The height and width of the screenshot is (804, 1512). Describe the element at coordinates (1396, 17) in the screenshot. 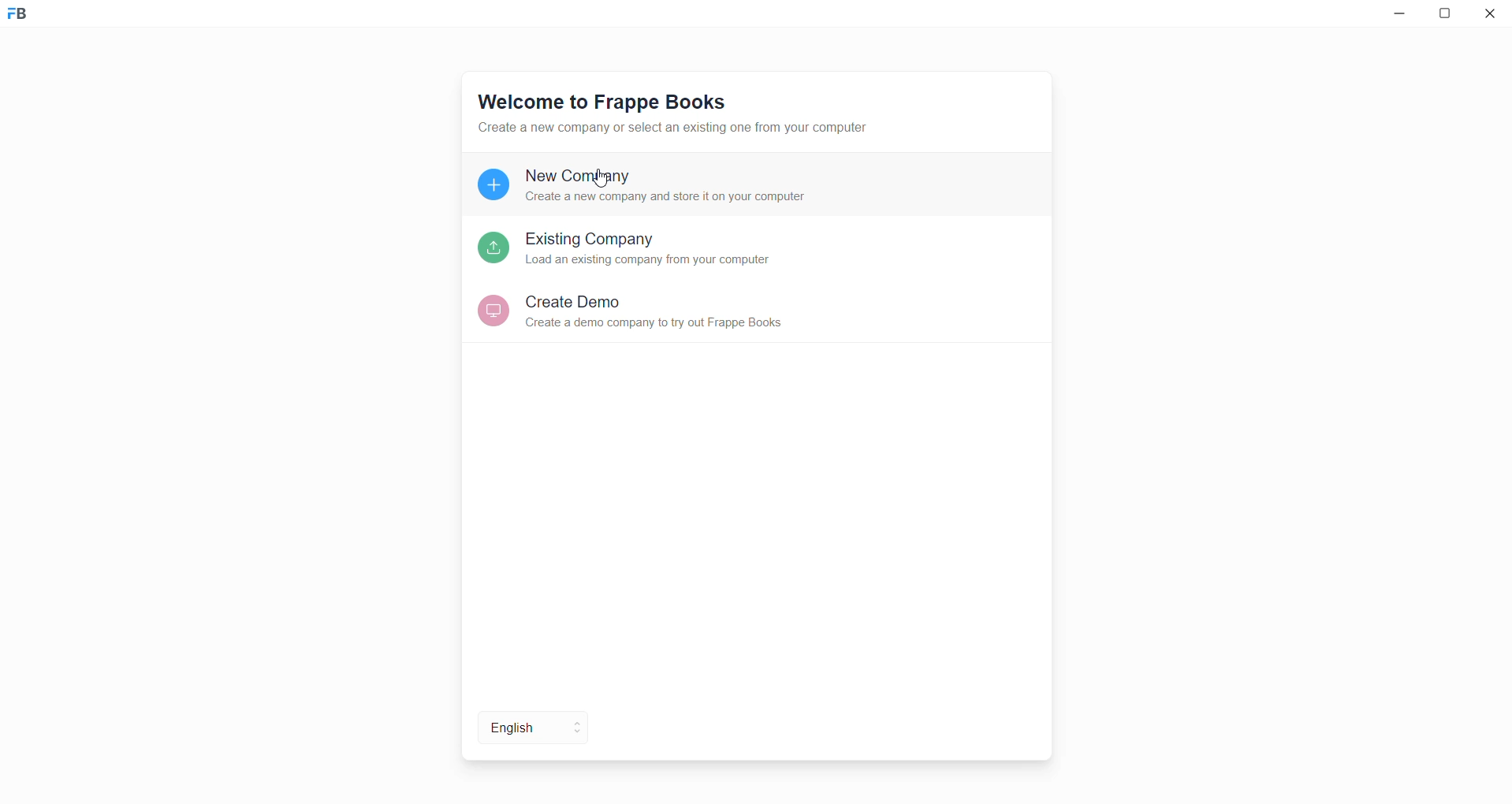

I see `minimize` at that location.